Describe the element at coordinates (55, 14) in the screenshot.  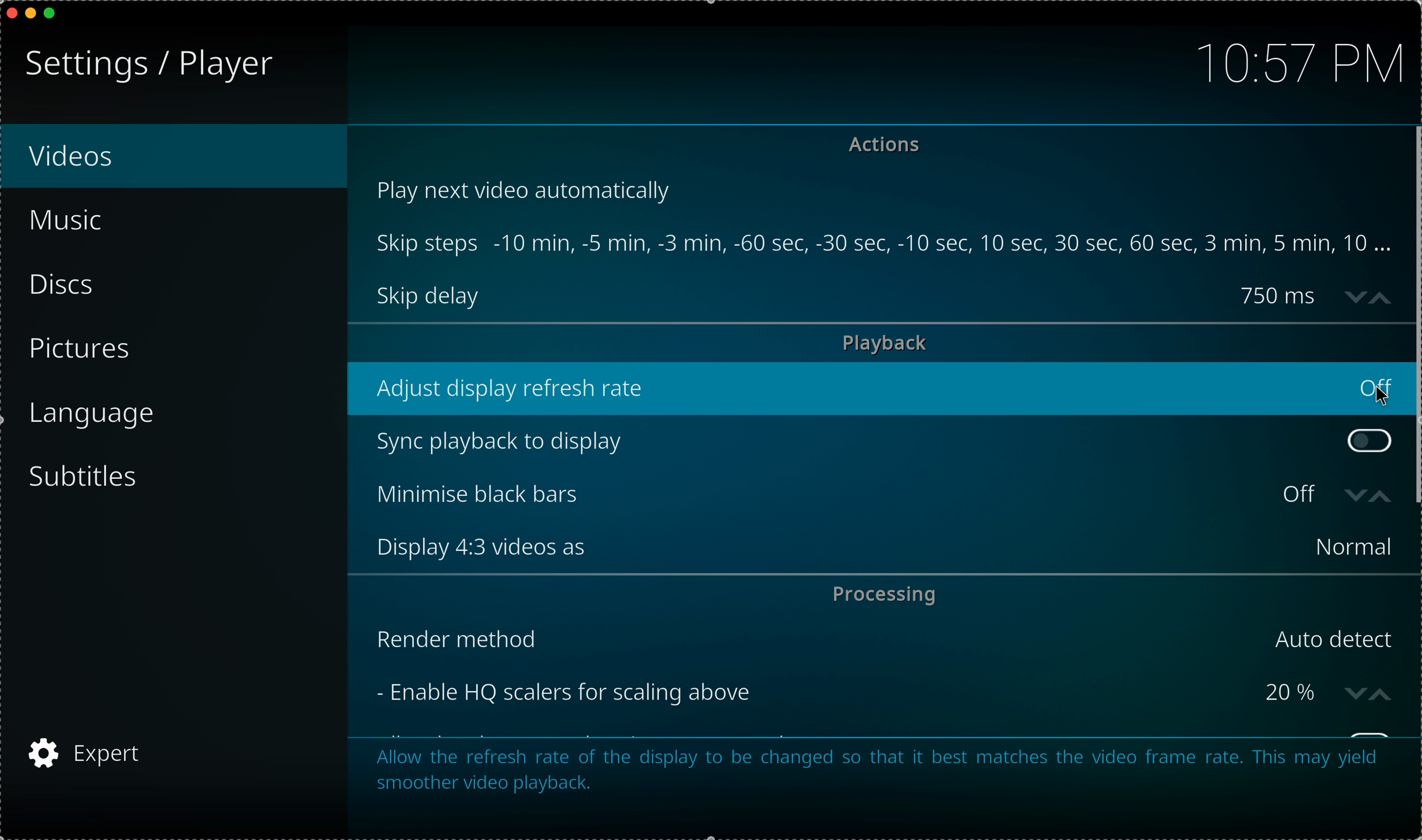
I see `maximize ` at that location.